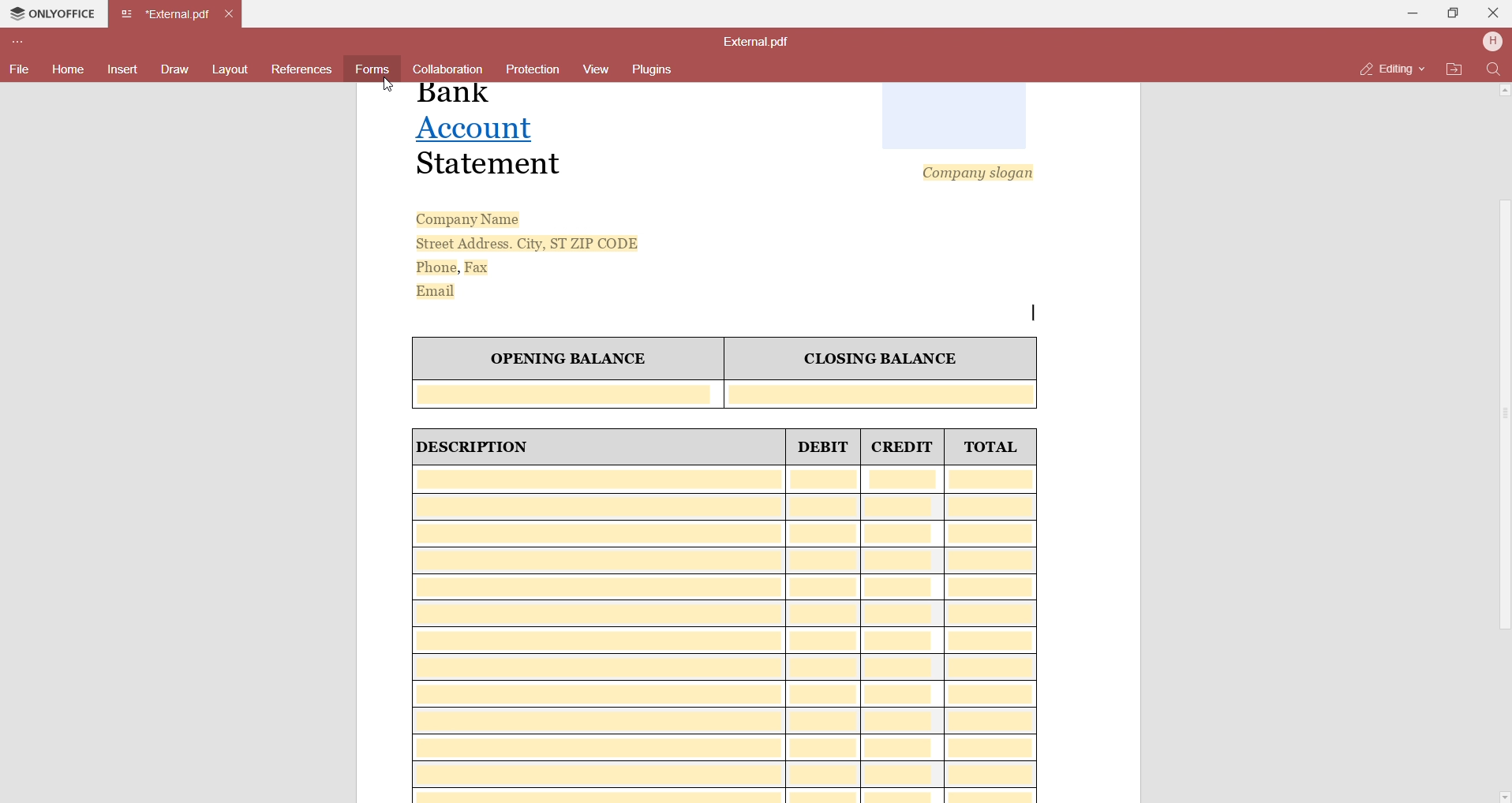  What do you see at coordinates (1387, 70) in the screenshot?
I see `Editing` at bounding box center [1387, 70].